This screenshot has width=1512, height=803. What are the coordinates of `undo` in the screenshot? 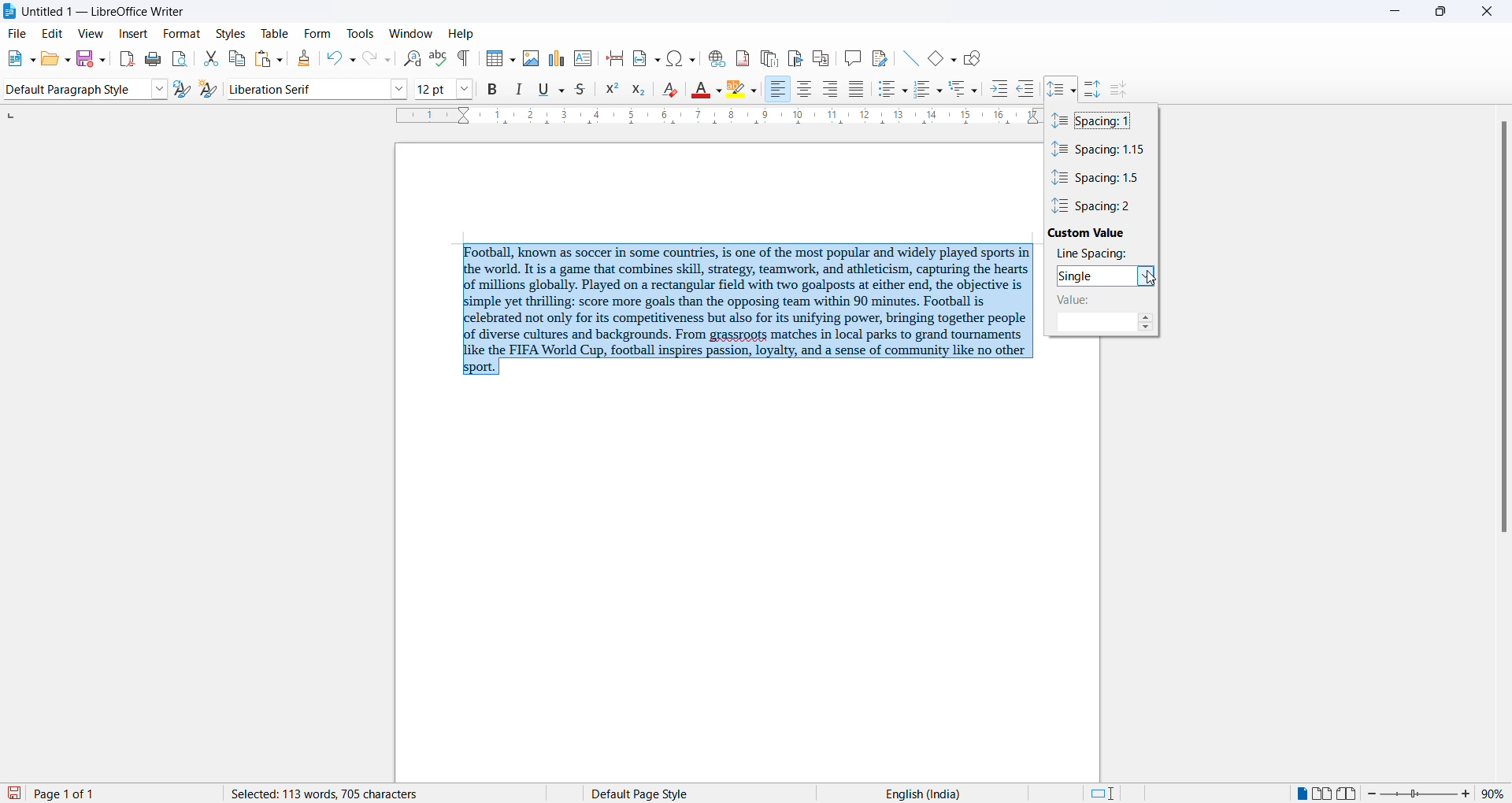 It's located at (341, 58).